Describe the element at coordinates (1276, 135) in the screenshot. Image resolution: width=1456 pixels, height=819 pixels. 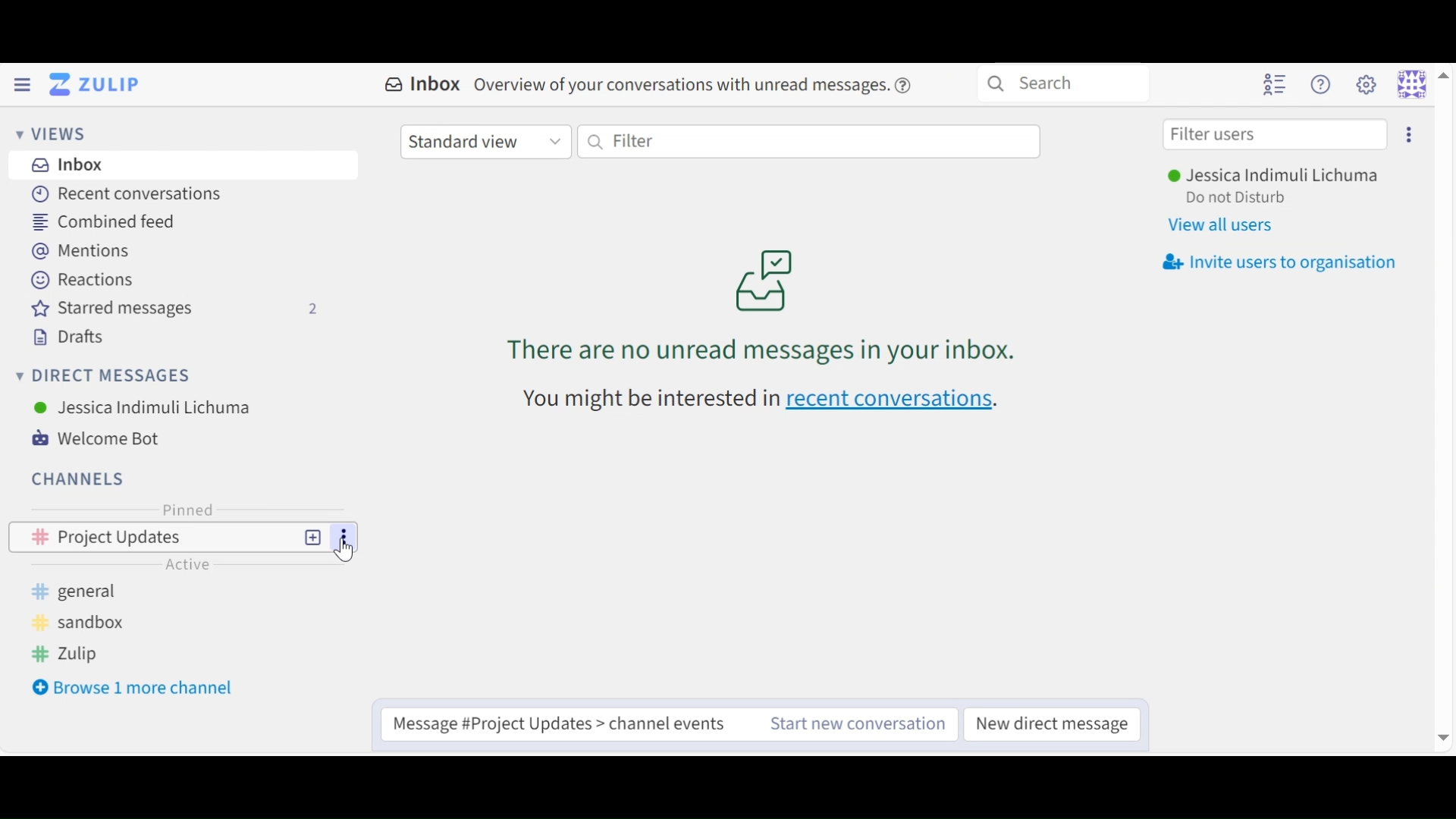
I see `Filter users` at that location.